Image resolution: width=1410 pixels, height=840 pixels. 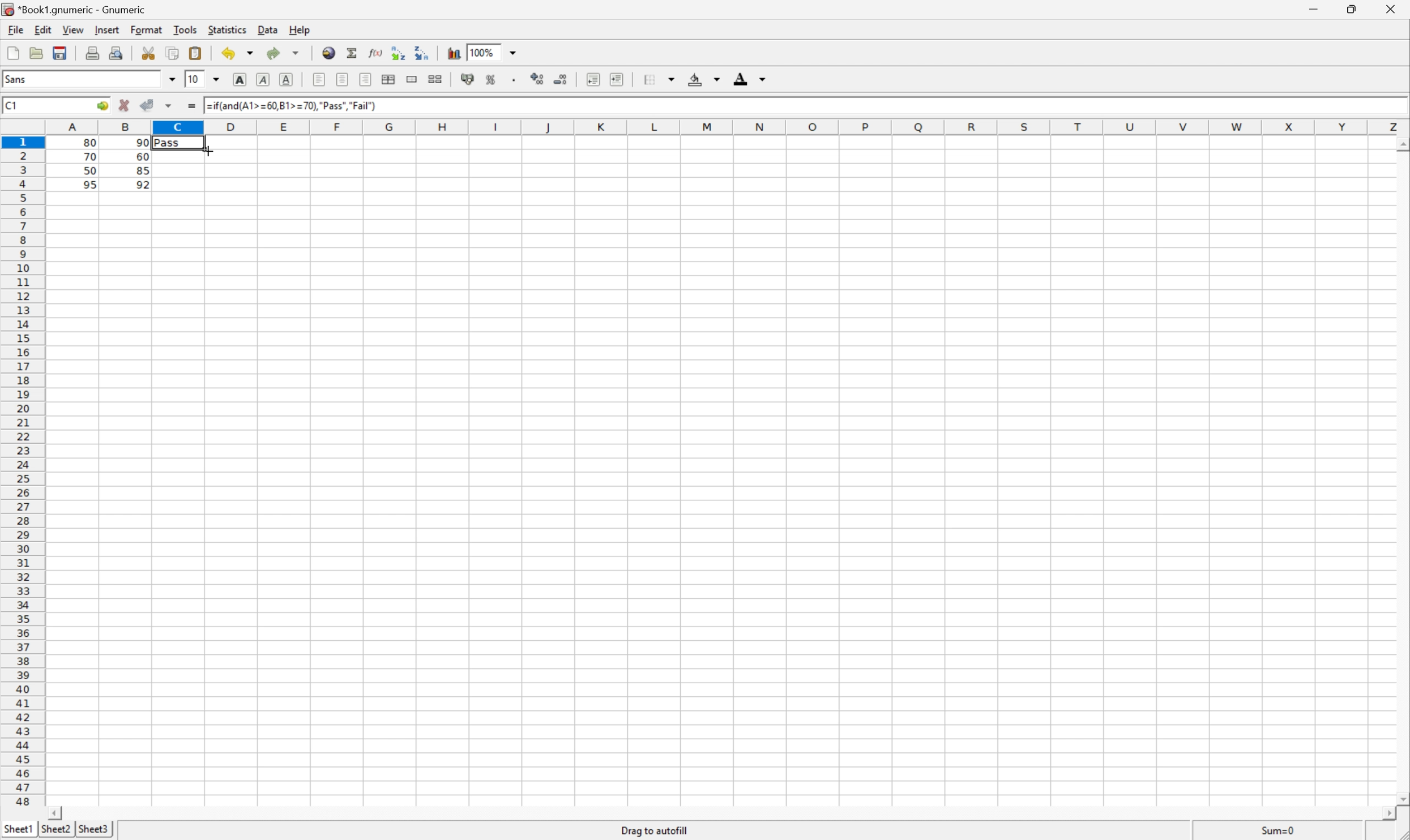 I want to click on Split merged ranges of cells, so click(x=437, y=79).